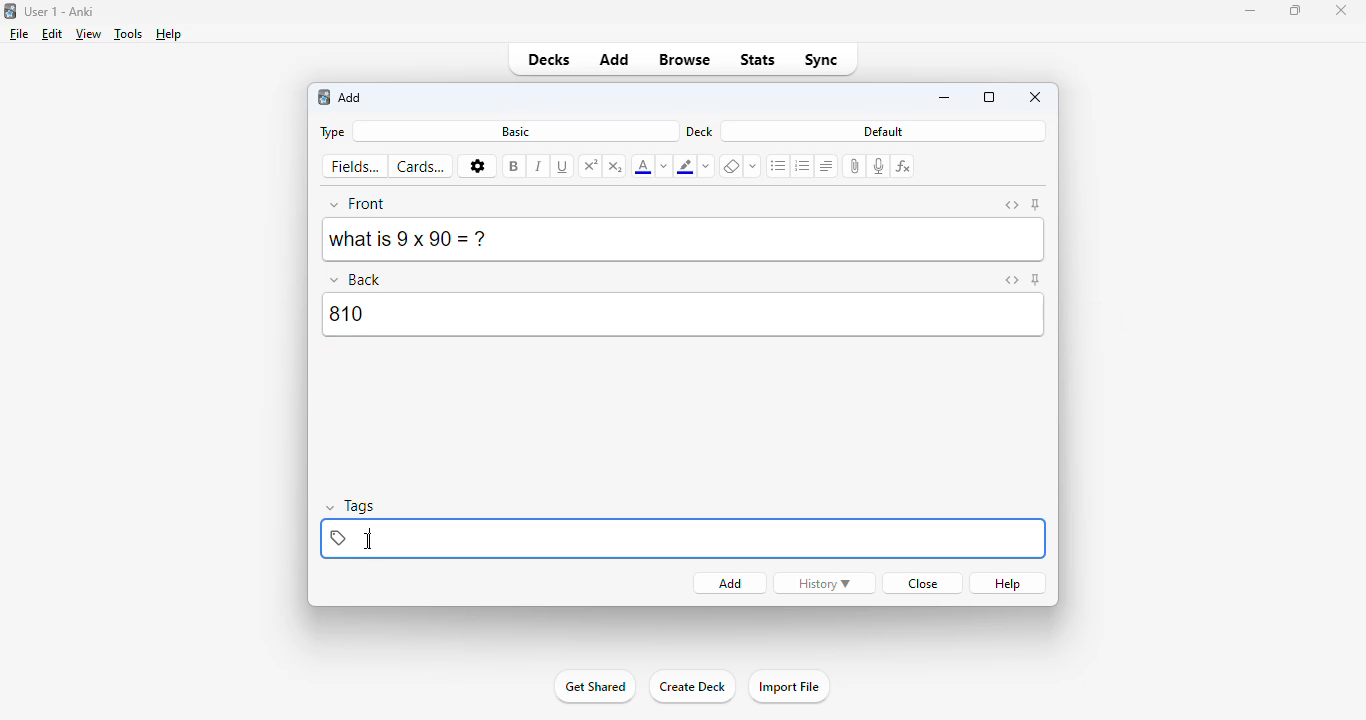  I want to click on type, so click(330, 132).